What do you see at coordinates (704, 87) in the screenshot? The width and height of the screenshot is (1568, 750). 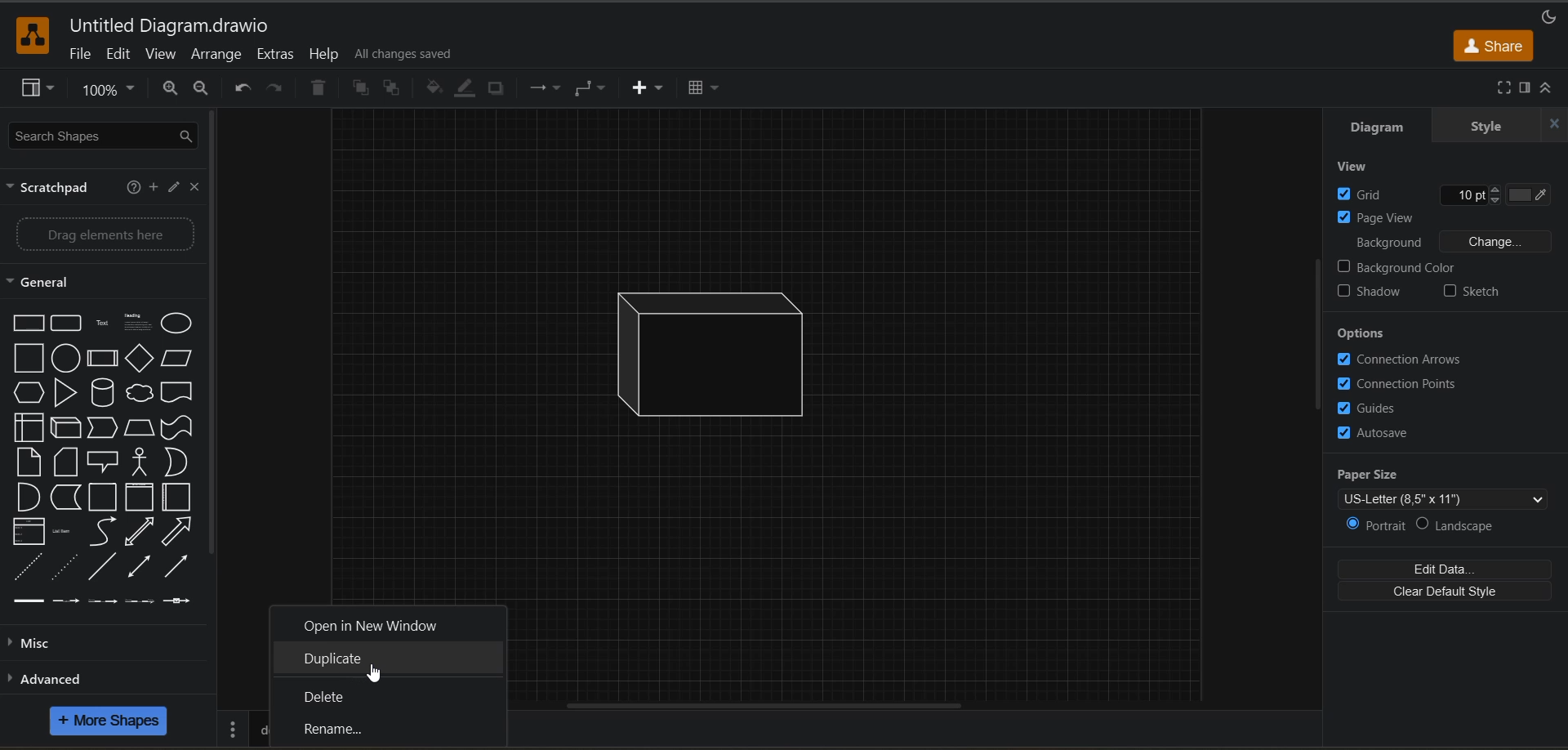 I see `table` at bounding box center [704, 87].